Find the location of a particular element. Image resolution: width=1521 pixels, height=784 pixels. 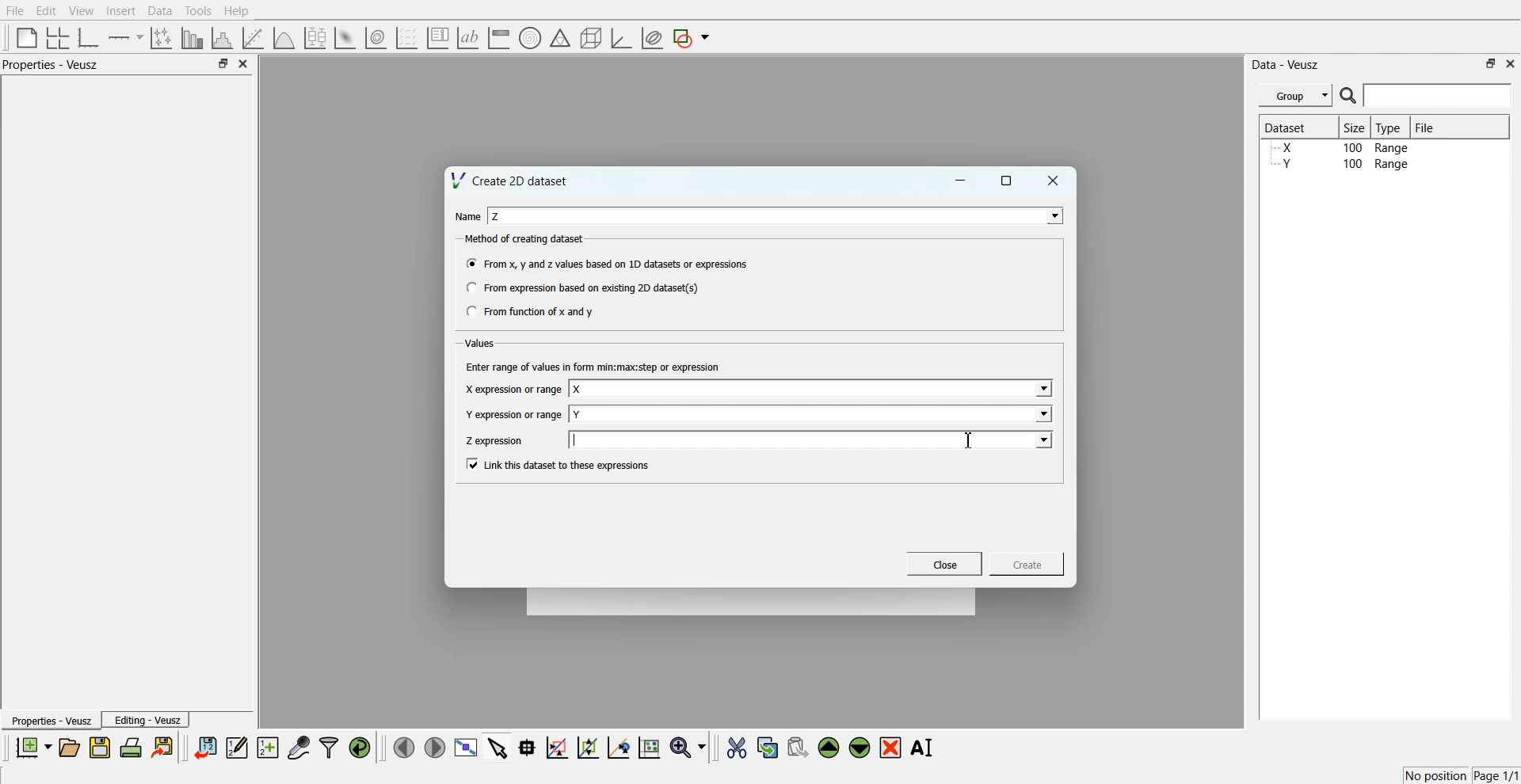

New document is located at coordinates (32, 747).